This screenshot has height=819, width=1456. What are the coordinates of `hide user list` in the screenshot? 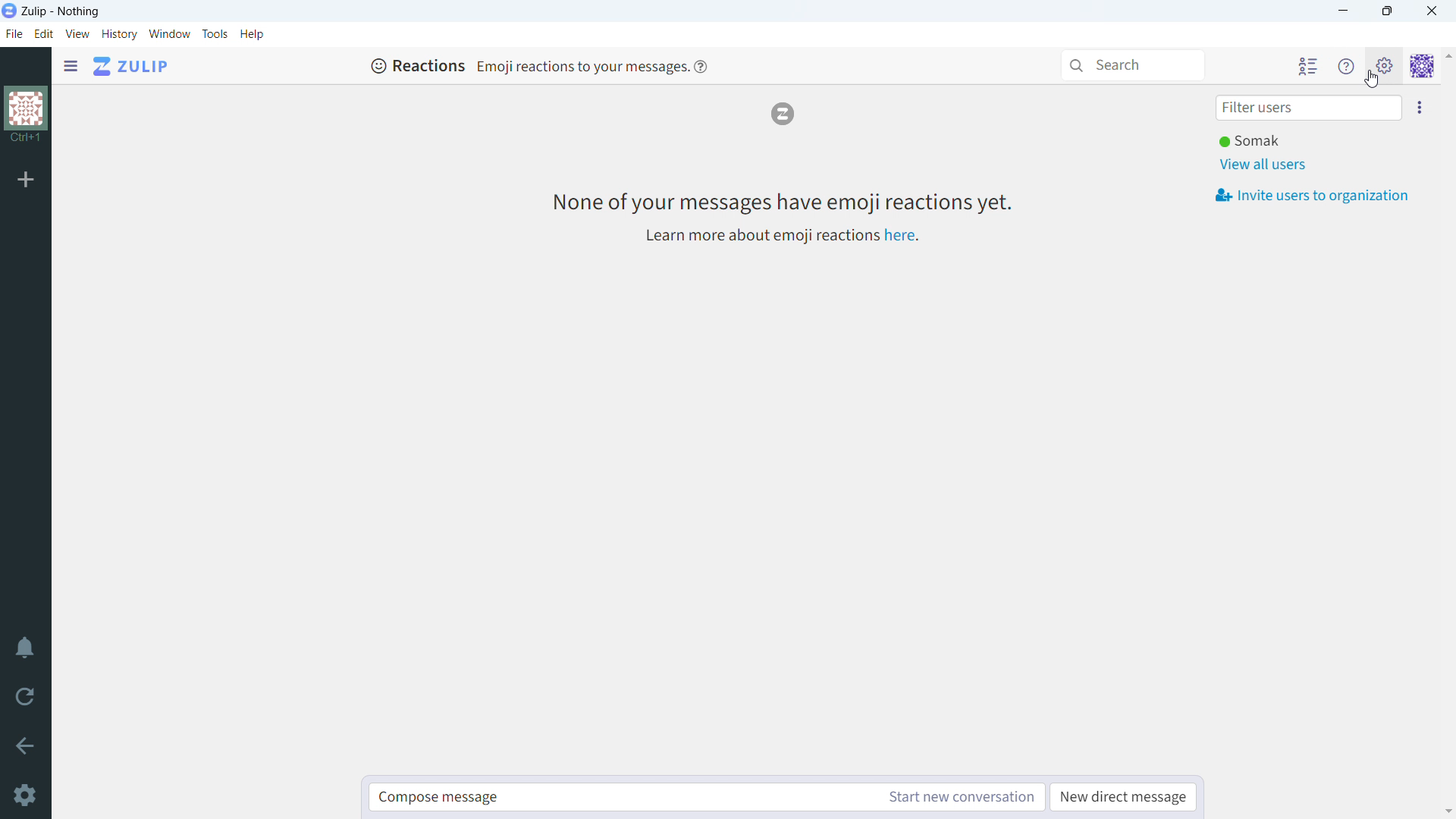 It's located at (1307, 65).